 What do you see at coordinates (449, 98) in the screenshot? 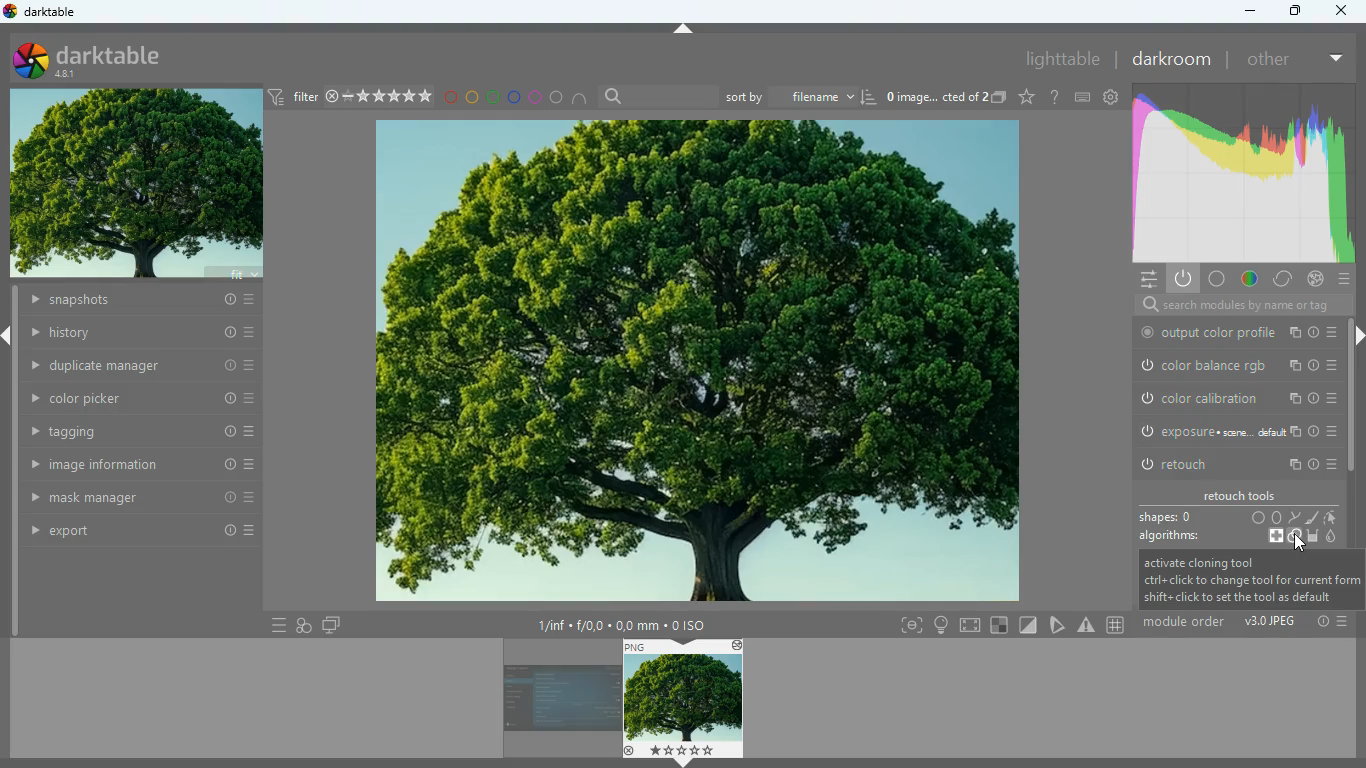
I see `red` at bounding box center [449, 98].